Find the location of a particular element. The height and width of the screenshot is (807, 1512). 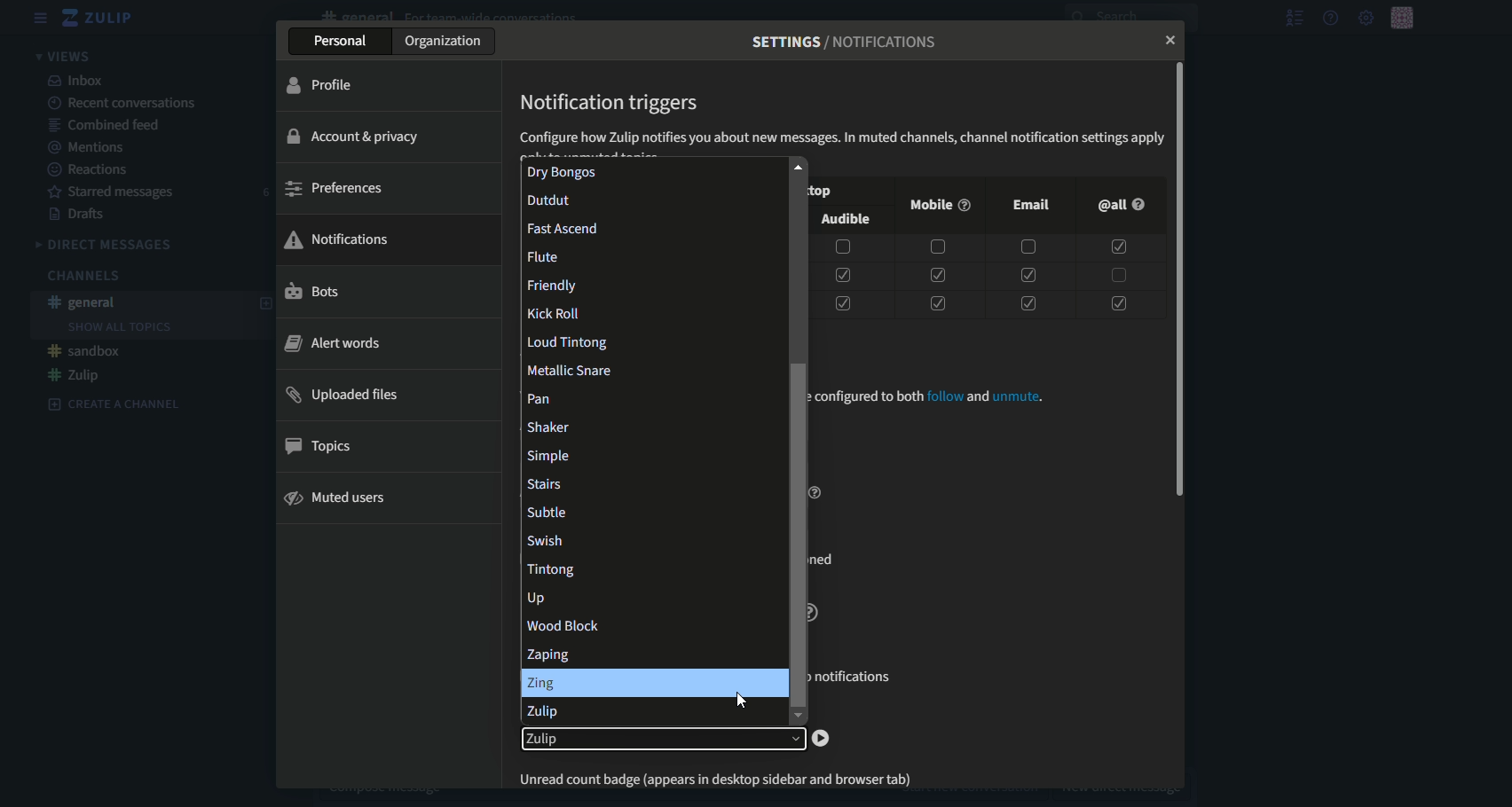

Channels is located at coordinates (82, 276).